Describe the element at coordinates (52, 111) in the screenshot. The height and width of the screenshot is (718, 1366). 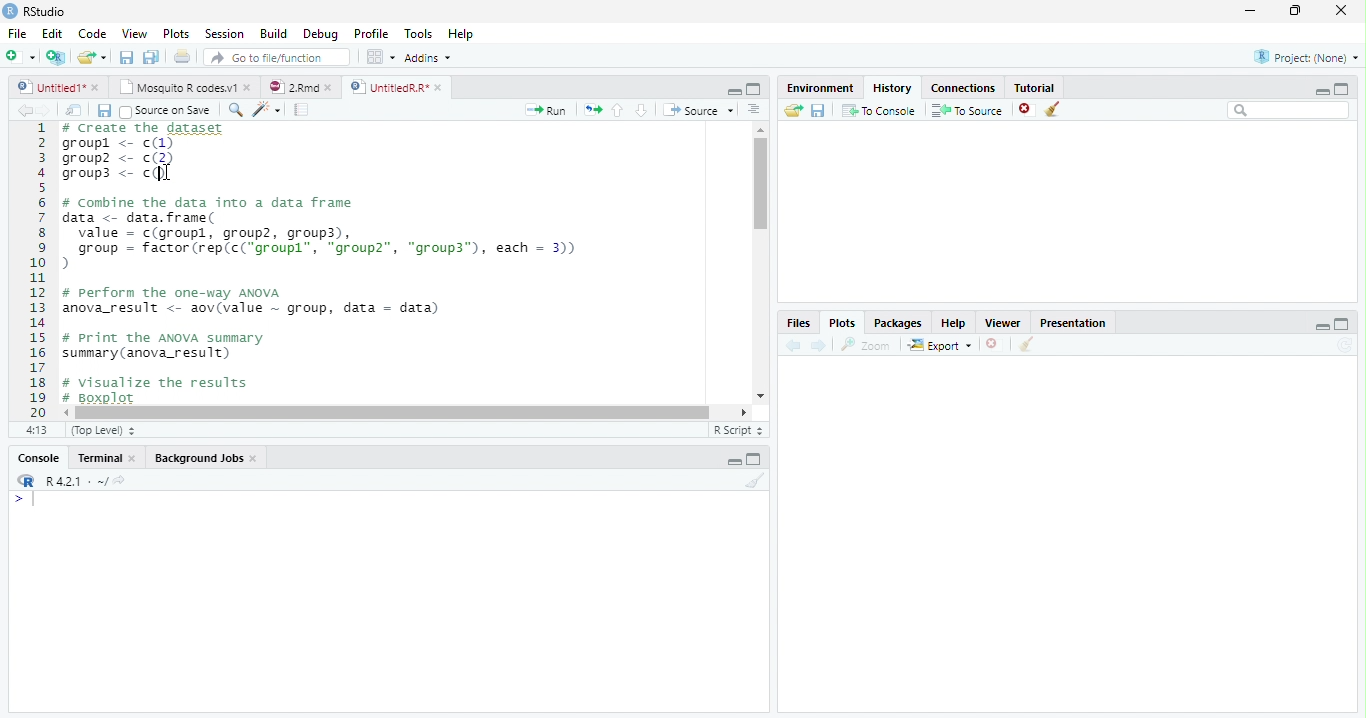
I see `Next` at that location.